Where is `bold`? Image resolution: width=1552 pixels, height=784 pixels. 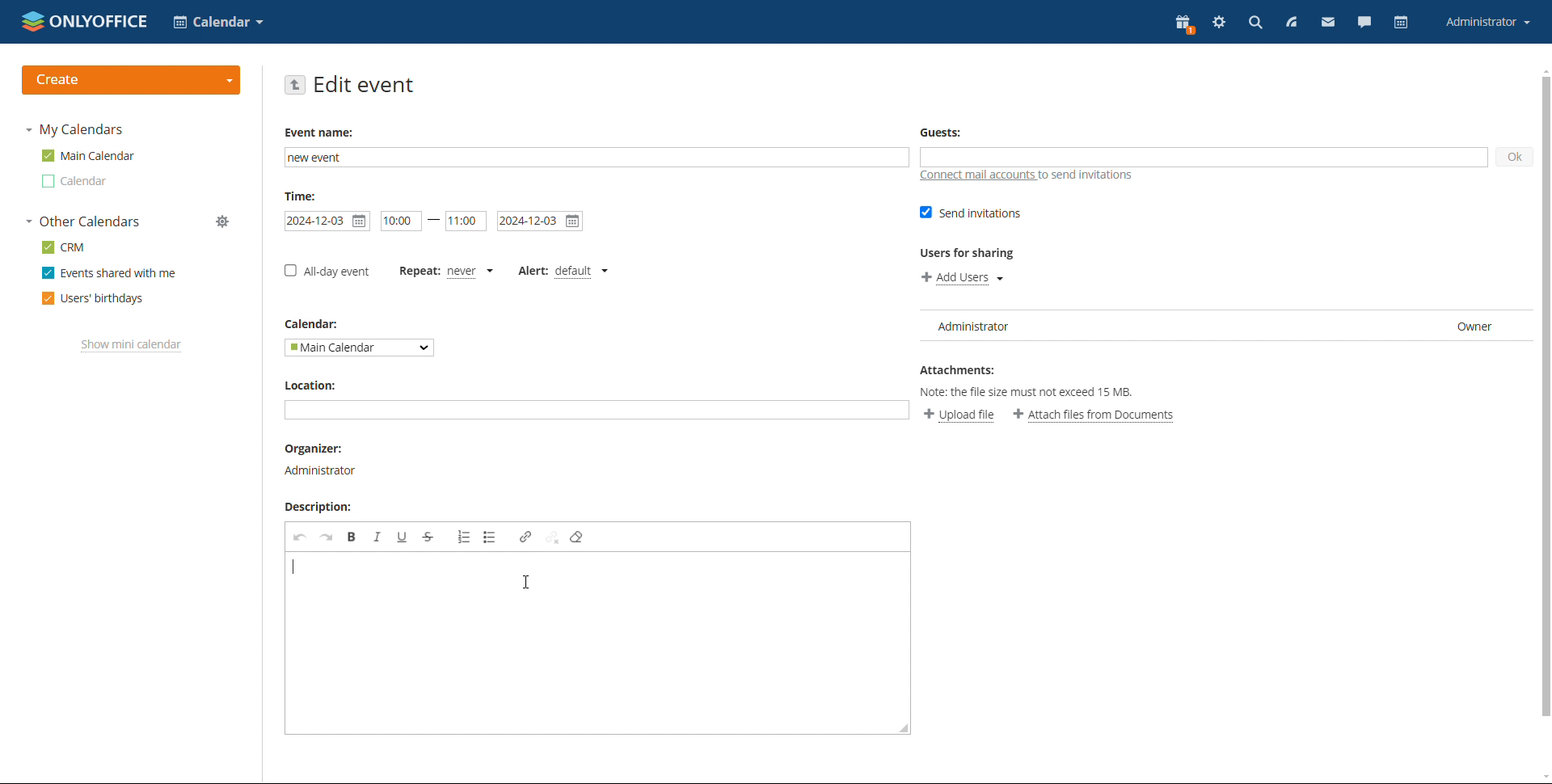
bold is located at coordinates (352, 536).